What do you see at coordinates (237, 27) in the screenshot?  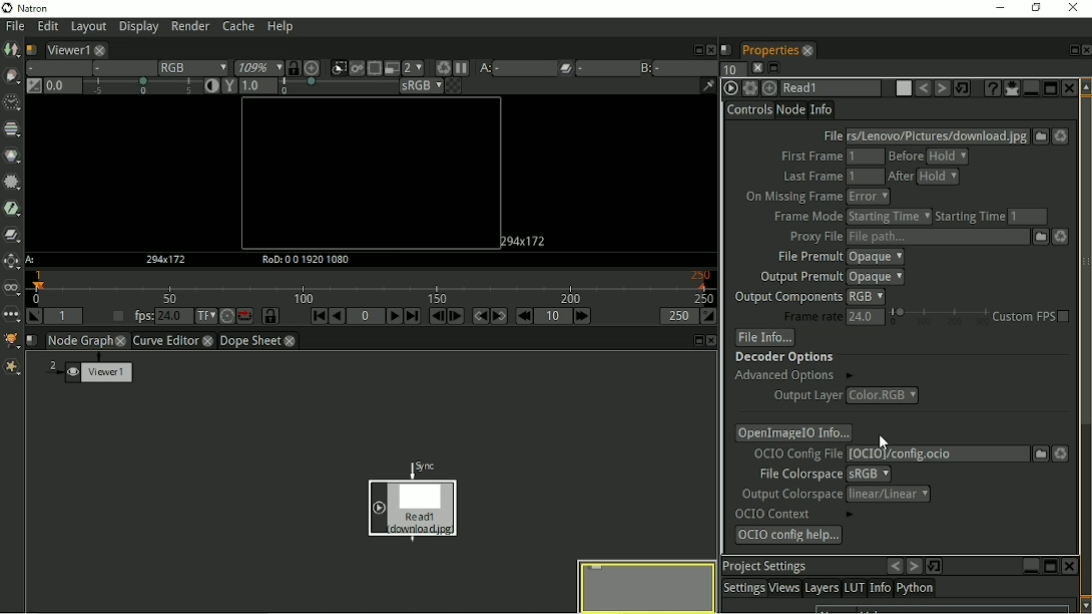 I see `Cache` at bounding box center [237, 27].